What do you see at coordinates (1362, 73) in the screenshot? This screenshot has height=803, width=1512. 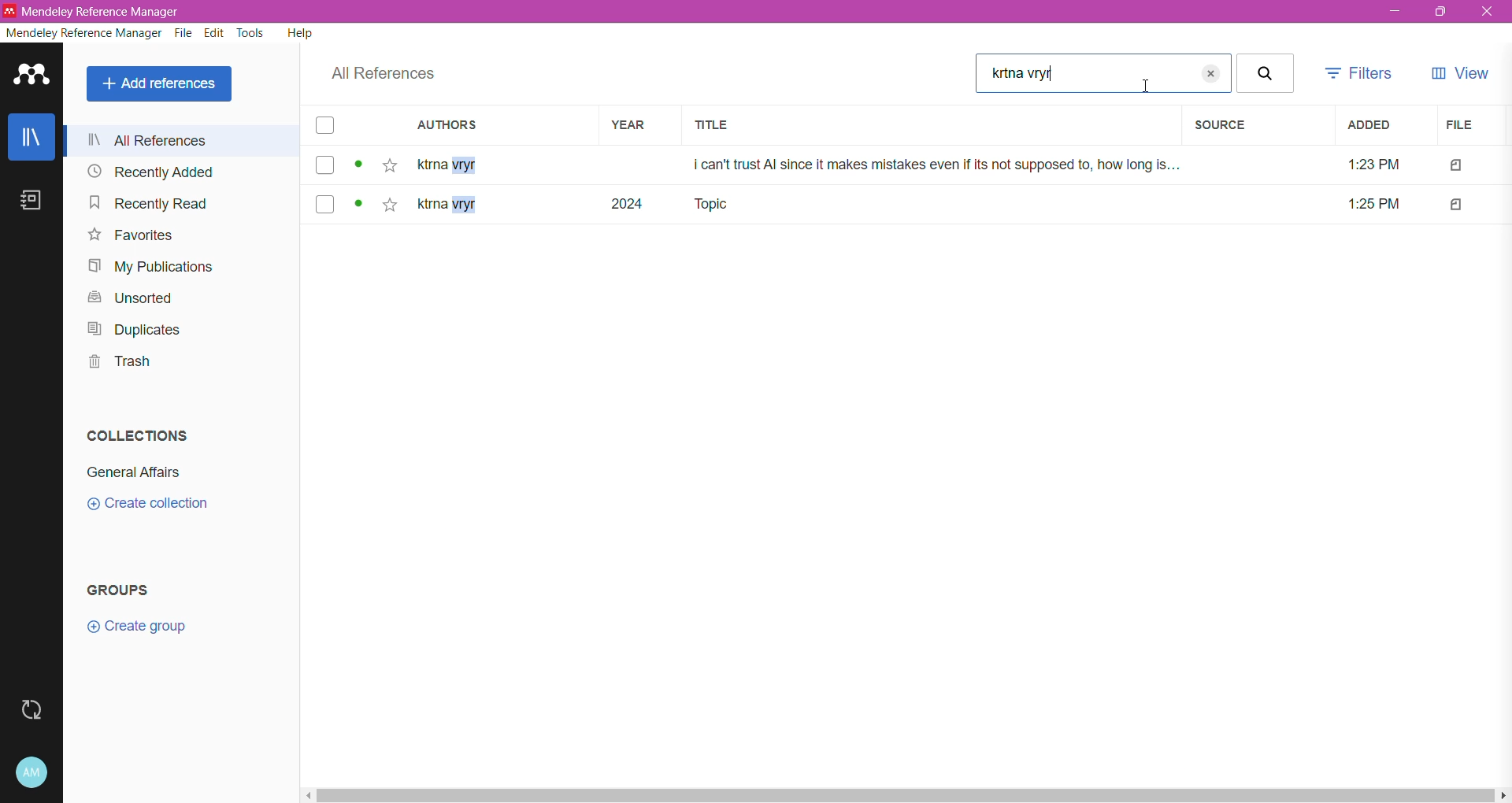 I see `Filters` at bounding box center [1362, 73].